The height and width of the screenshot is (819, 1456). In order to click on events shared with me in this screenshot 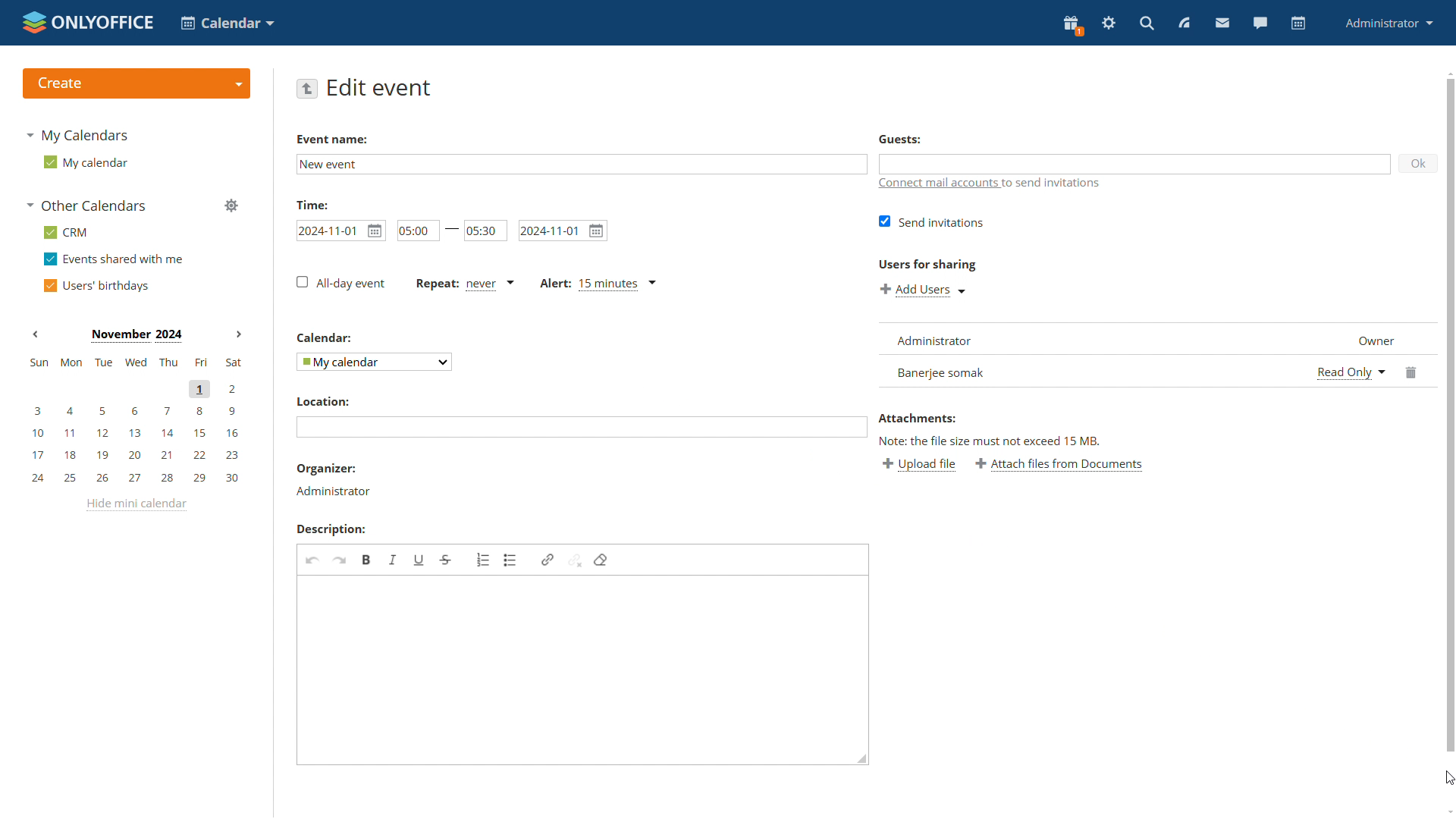, I will do `click(114, 260)`.